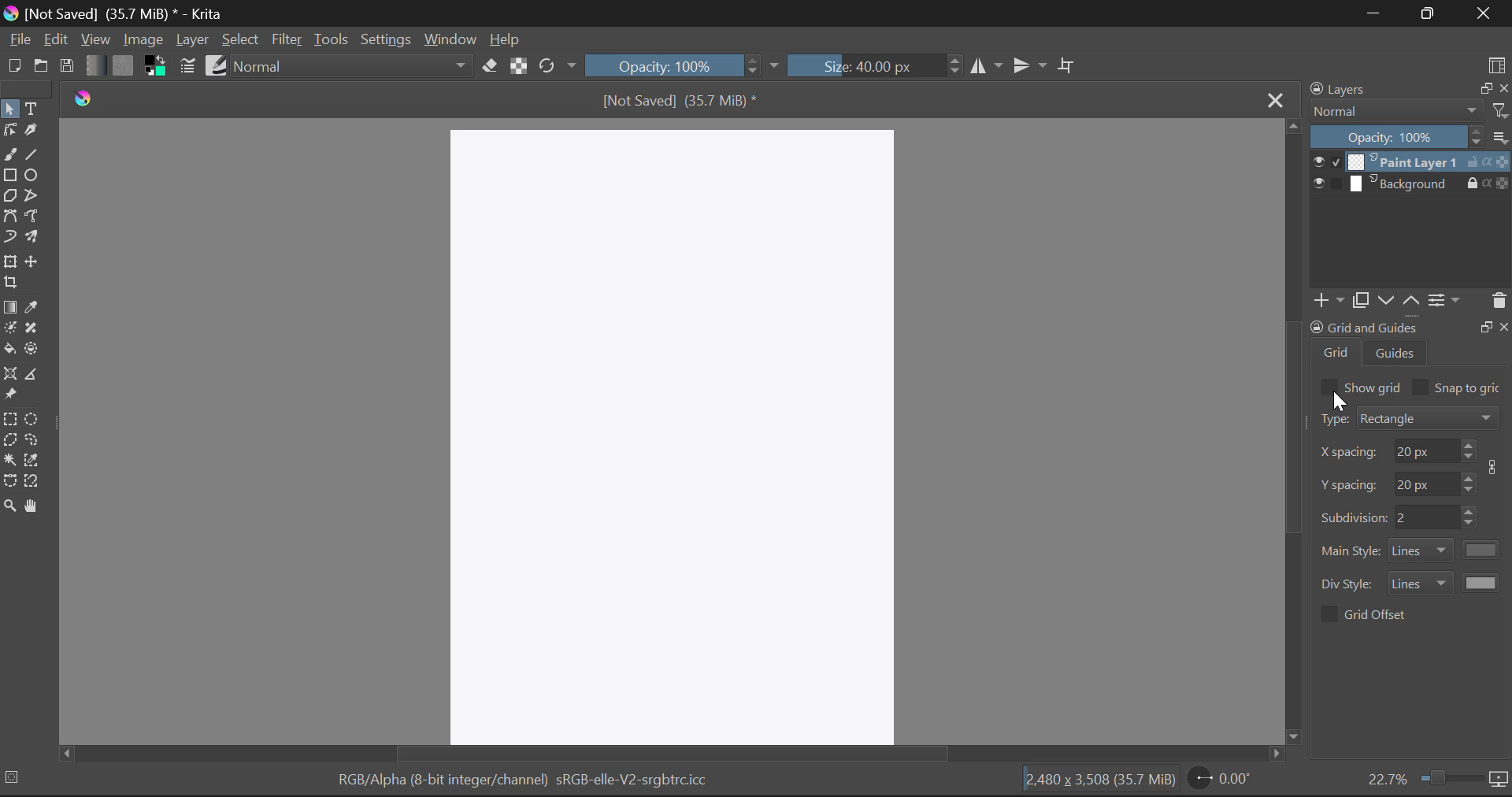 The height and width of the screenshot is (797, 1512). What do you see at coordinates (1387, 777) in the screenshot?
I see `zoom value` at bounding box center [1387, 777].